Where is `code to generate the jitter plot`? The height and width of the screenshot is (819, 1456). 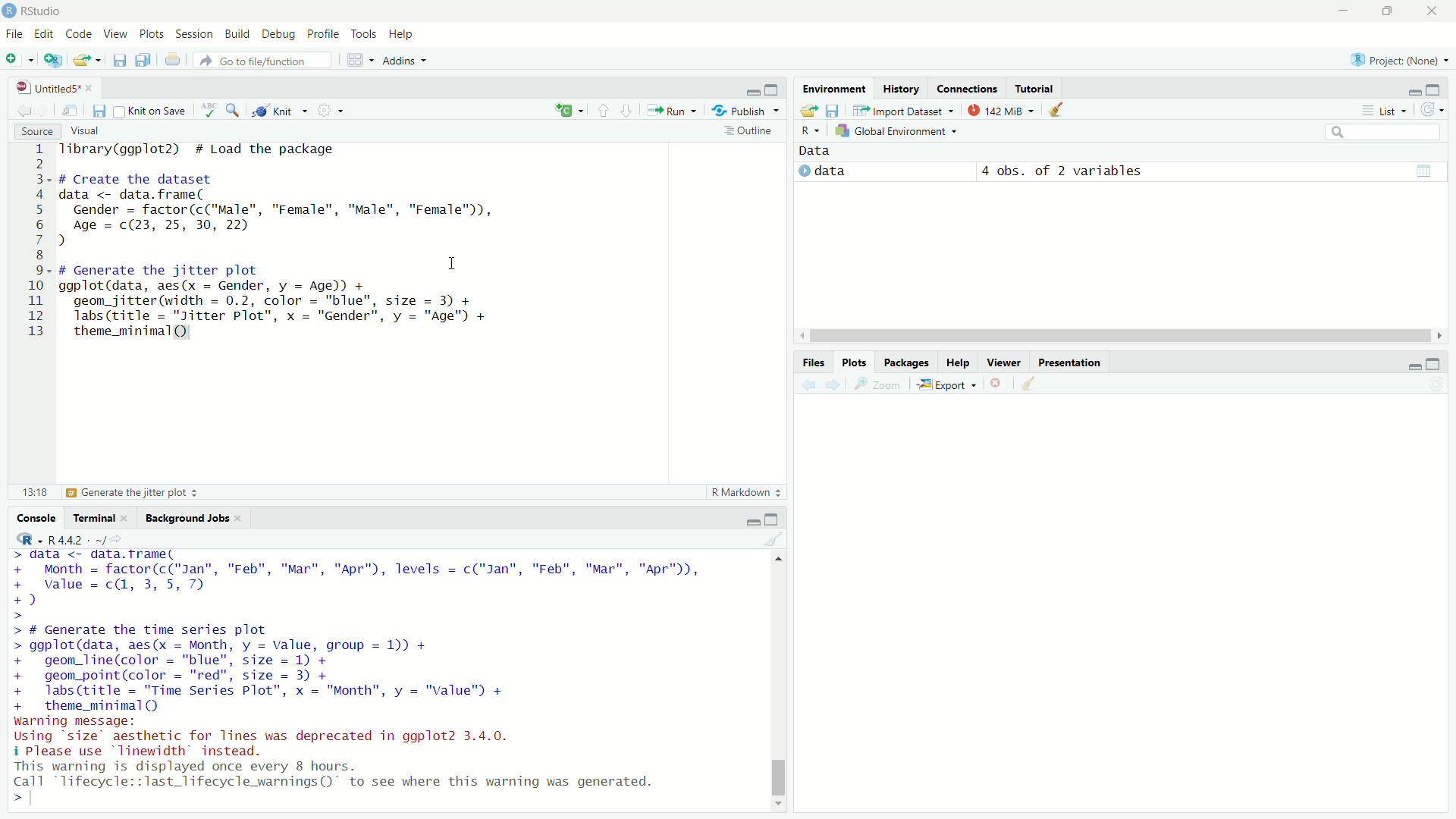 code to generate the jitter plot is located at coordinates (305, 301).